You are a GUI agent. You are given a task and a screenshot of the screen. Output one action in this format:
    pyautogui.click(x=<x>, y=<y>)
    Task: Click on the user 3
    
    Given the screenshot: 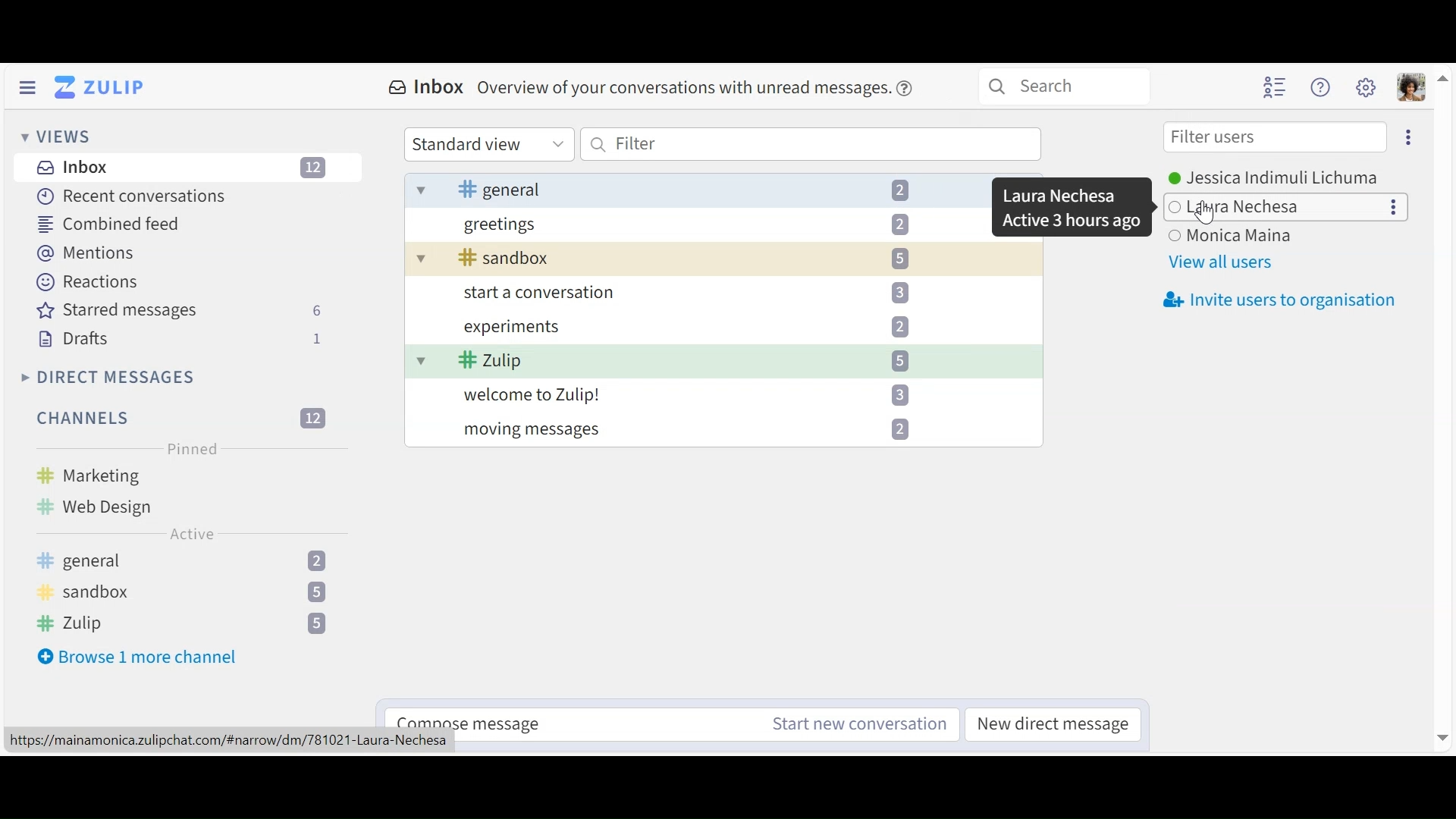 What is the action you would take?
    pyautogui.click(x=1229, y=236)
    